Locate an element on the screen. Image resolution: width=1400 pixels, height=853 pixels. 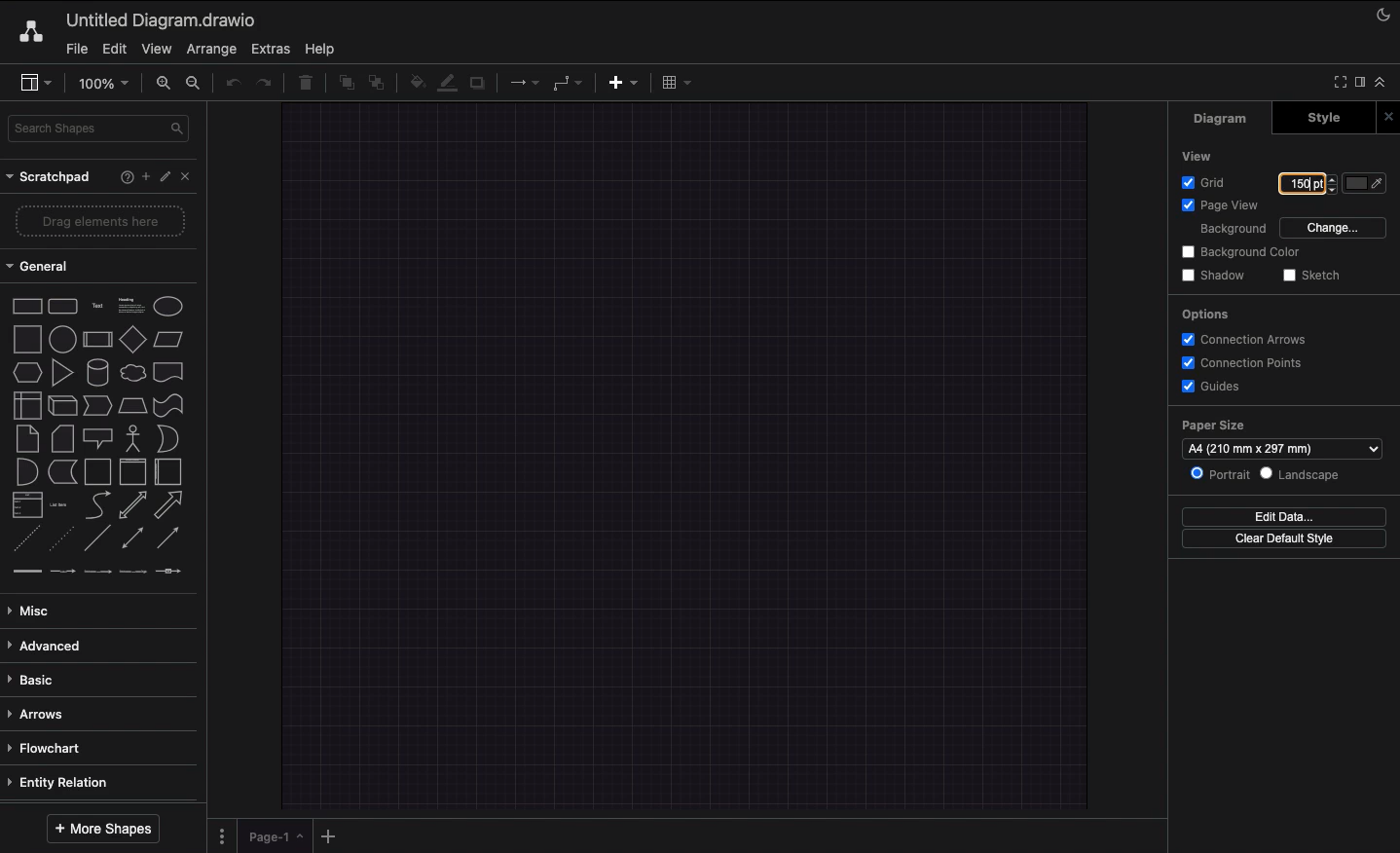
Misc is located at coordinates (36, 611).